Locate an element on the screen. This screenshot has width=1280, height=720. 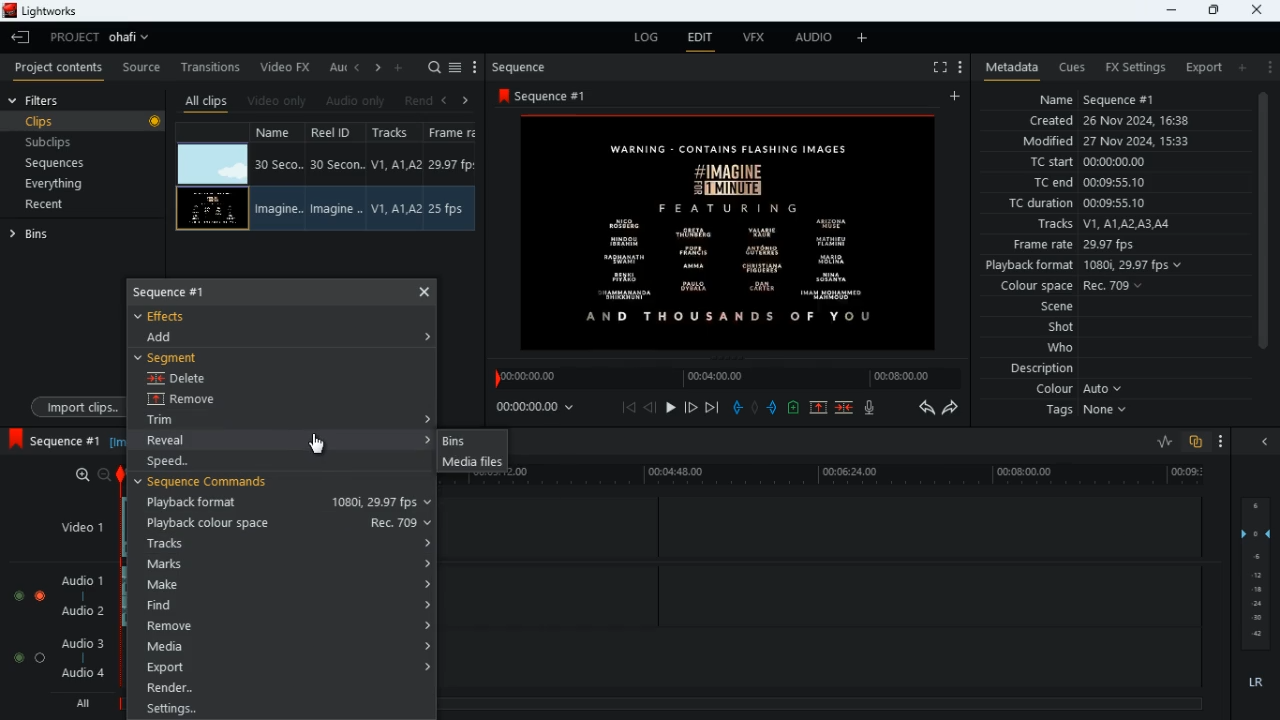
forward is located at coordinates (690, 407).